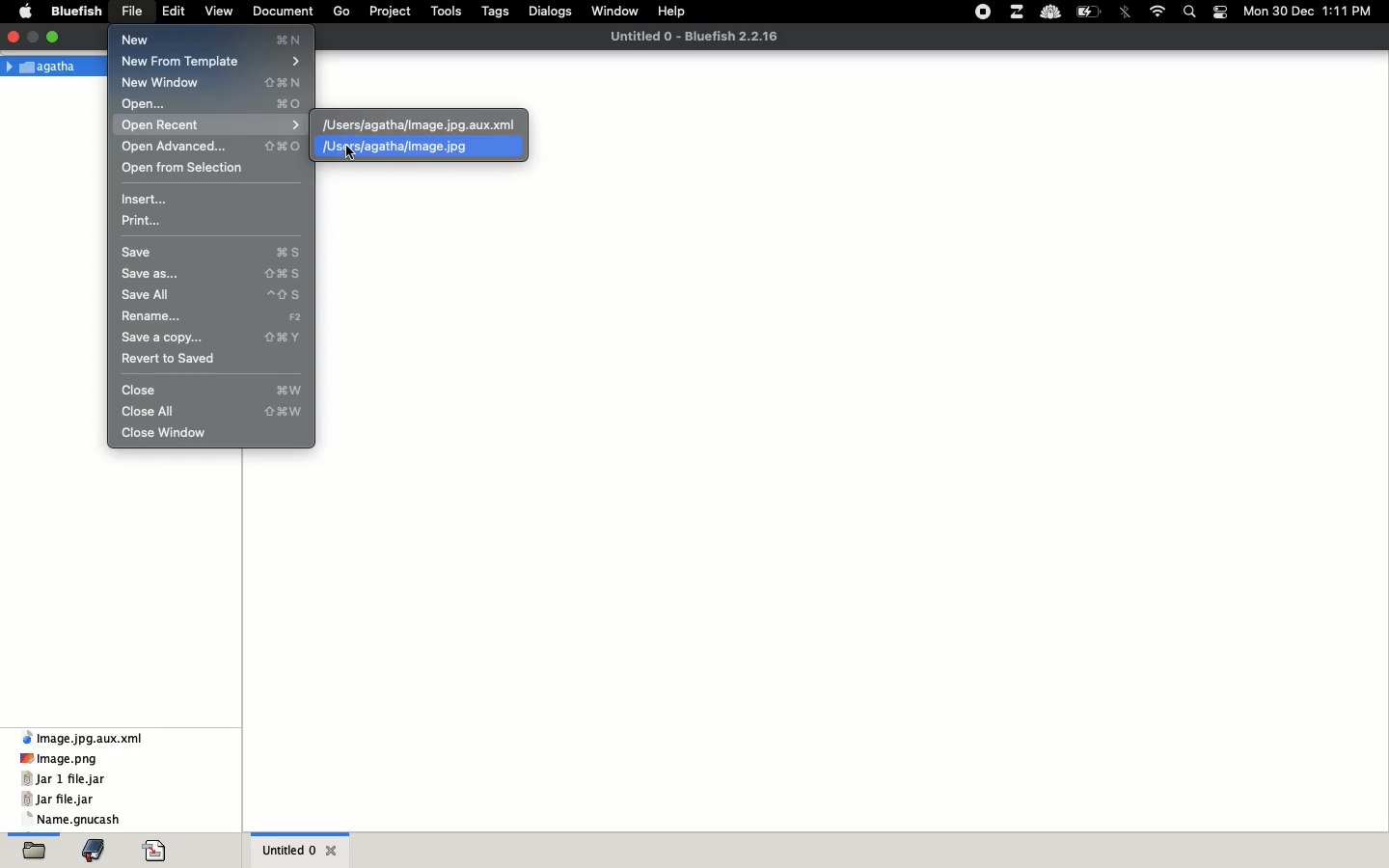 The image size is (1389, 868). What do you see at coordinates (214, 255) in the screenshot?
I see `save    command S` at bounding box center [214, 255].